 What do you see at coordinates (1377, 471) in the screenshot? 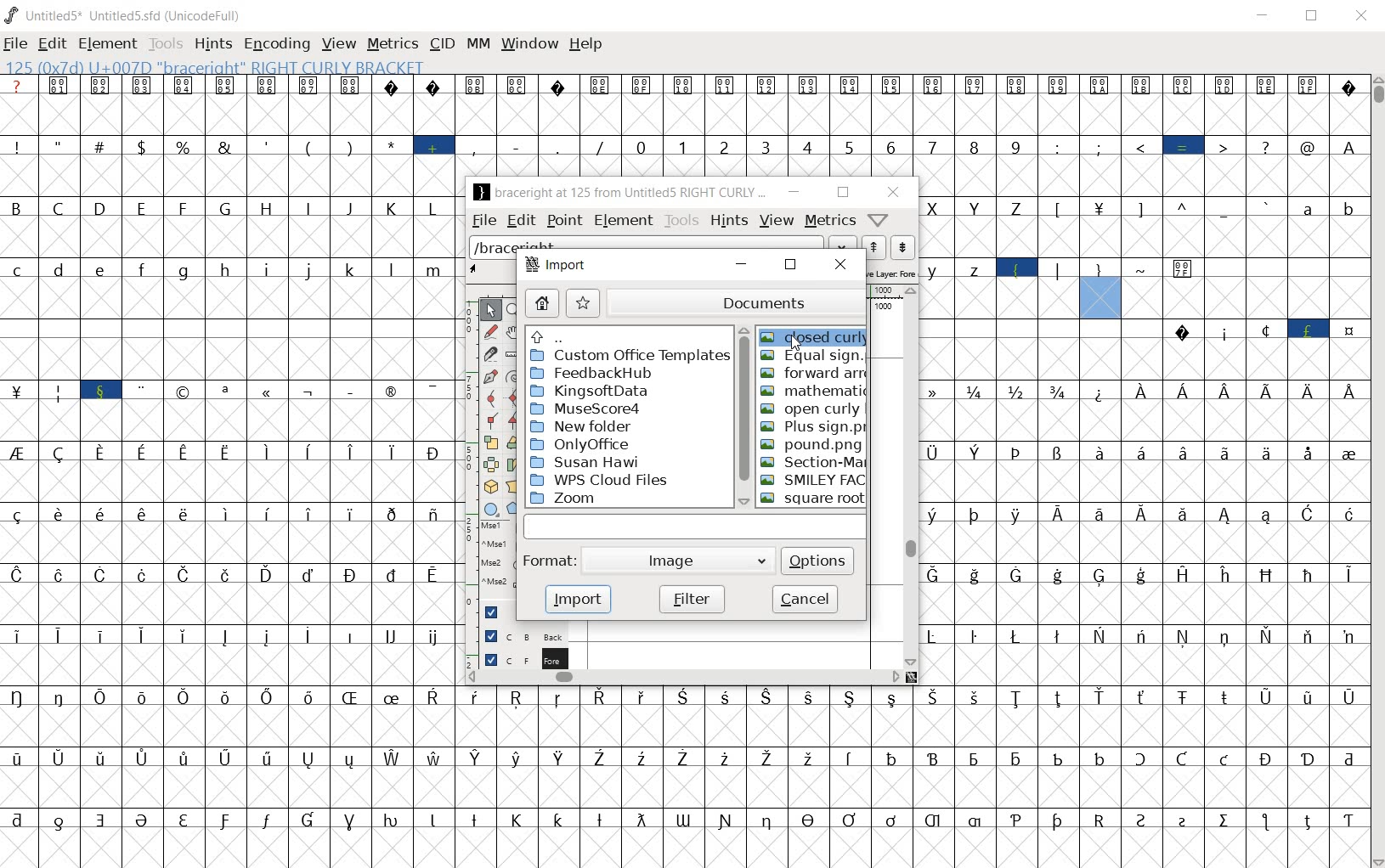
I see `SCROLLBAR` at bounding box center [1377, 471].